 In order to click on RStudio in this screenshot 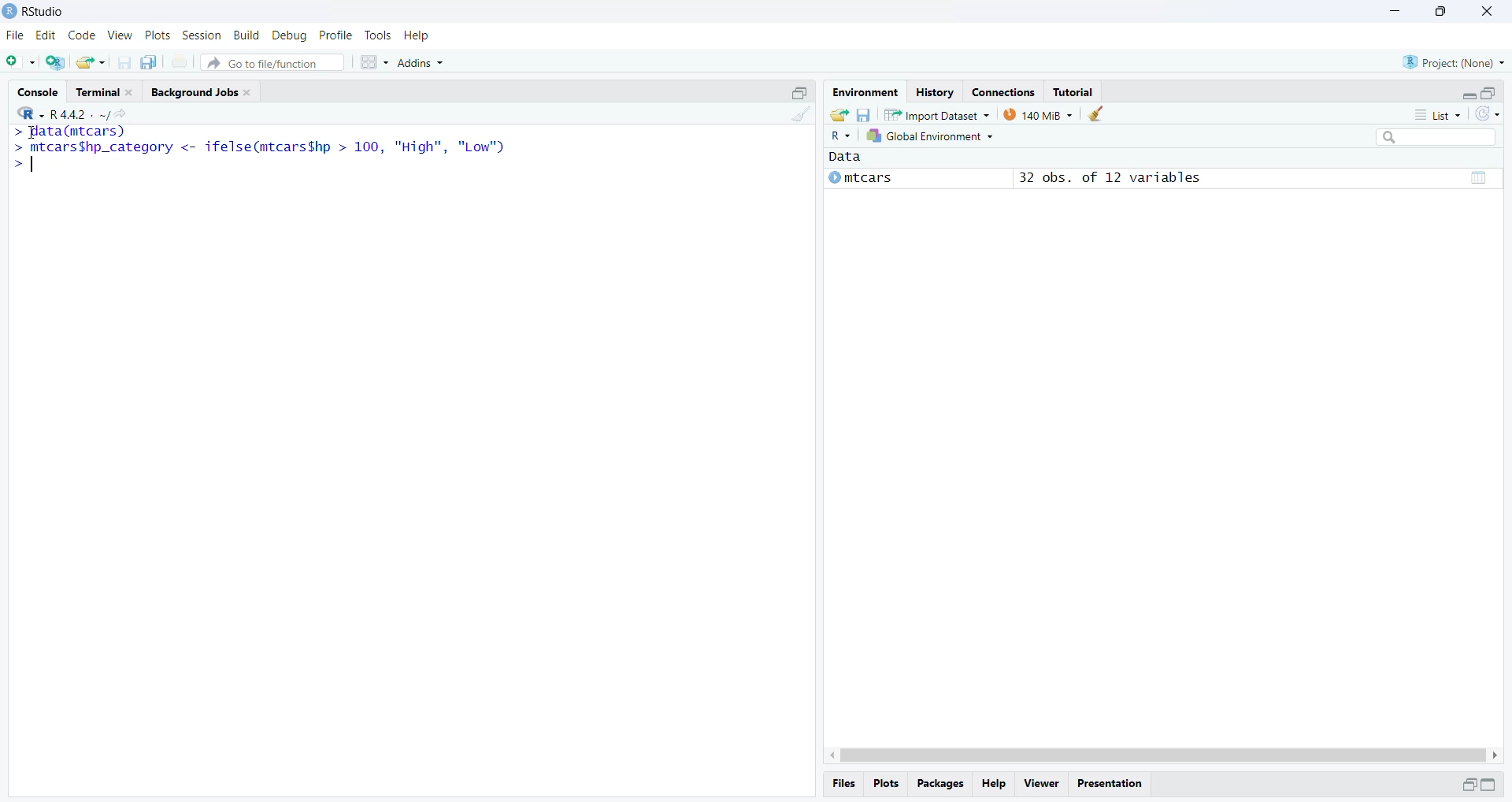, I will do `click(42, 12)`.